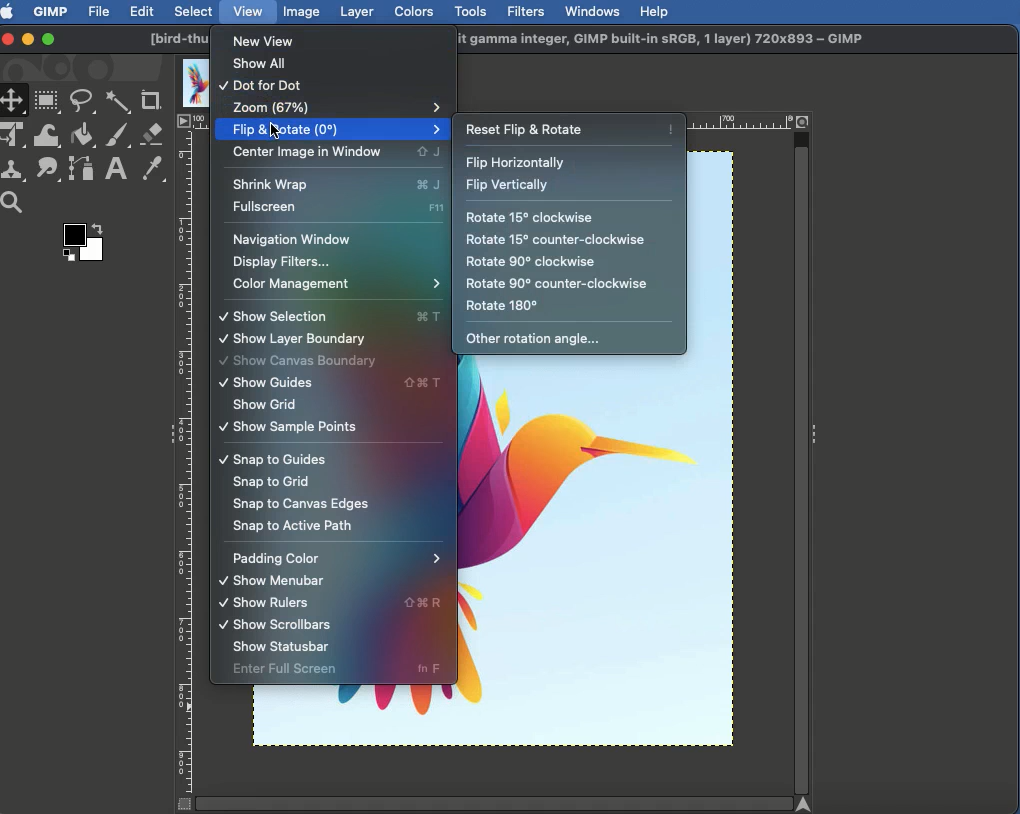  I want to click on Maximize, so click(48, 41).